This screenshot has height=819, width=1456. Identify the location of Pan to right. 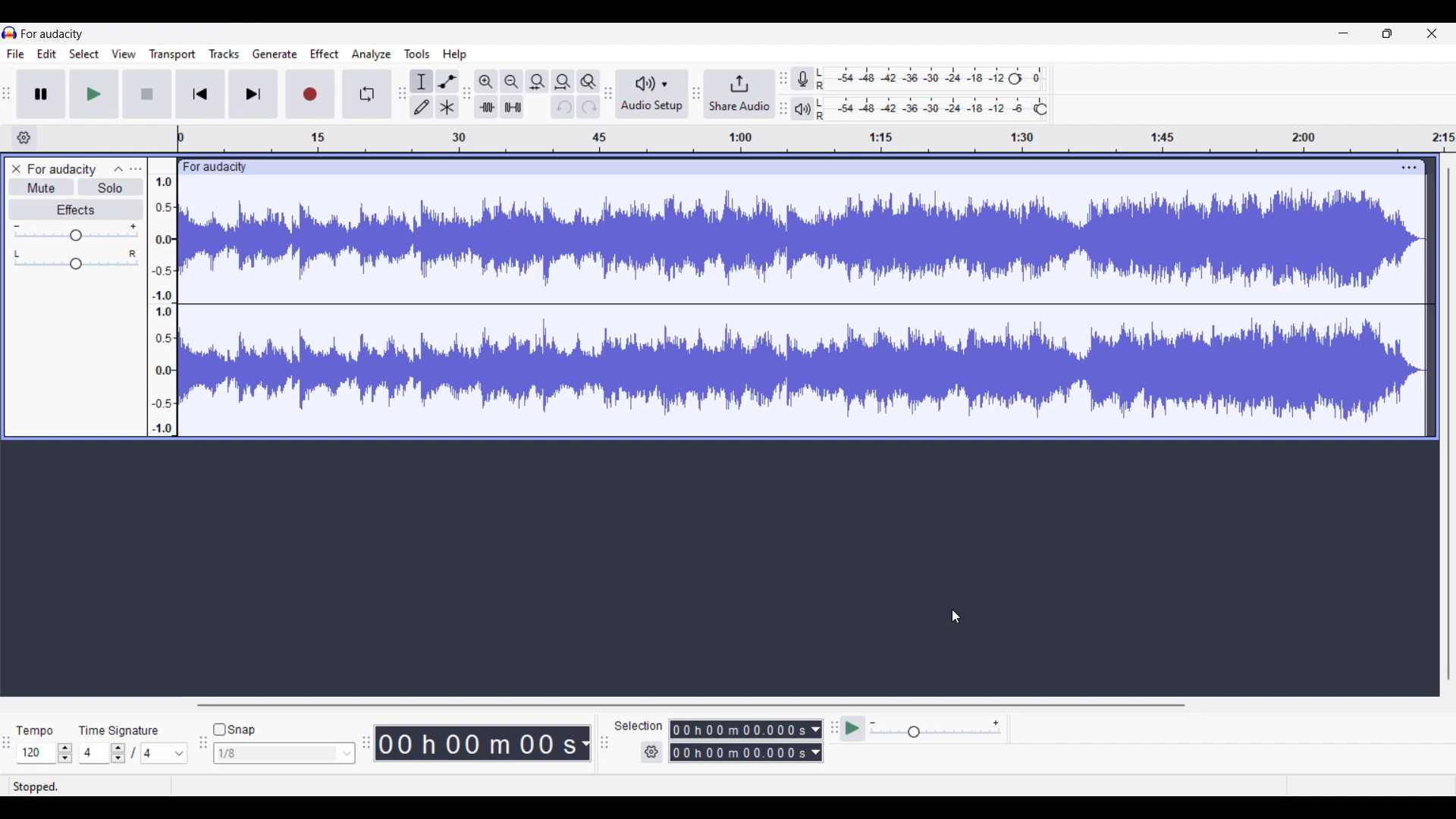
(133, 253).